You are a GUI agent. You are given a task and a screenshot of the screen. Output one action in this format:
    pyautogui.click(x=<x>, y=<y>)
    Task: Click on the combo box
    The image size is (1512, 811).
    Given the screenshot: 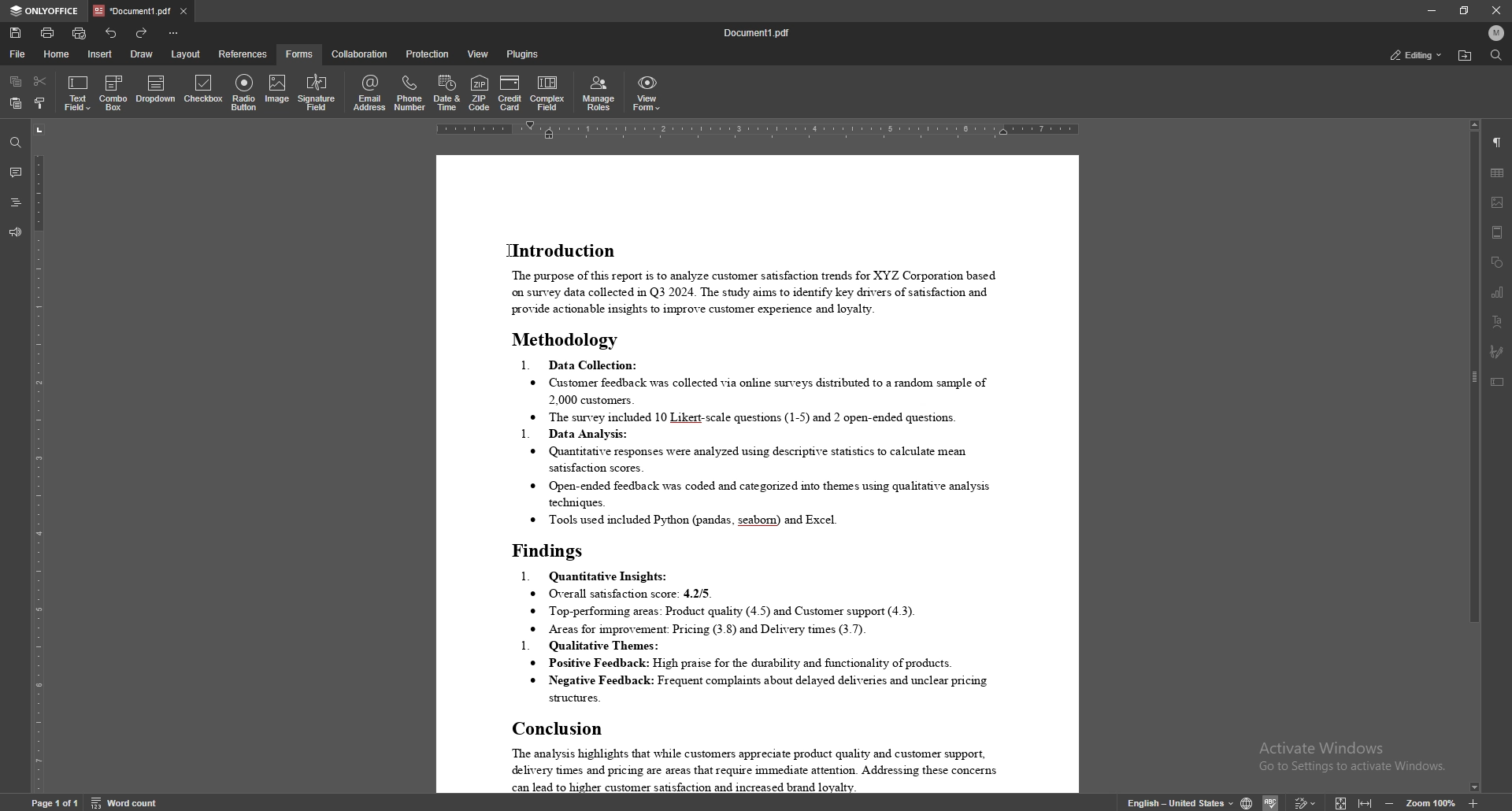 What is the action you would take?
    pyautogui.click(x=113, y=92)
    